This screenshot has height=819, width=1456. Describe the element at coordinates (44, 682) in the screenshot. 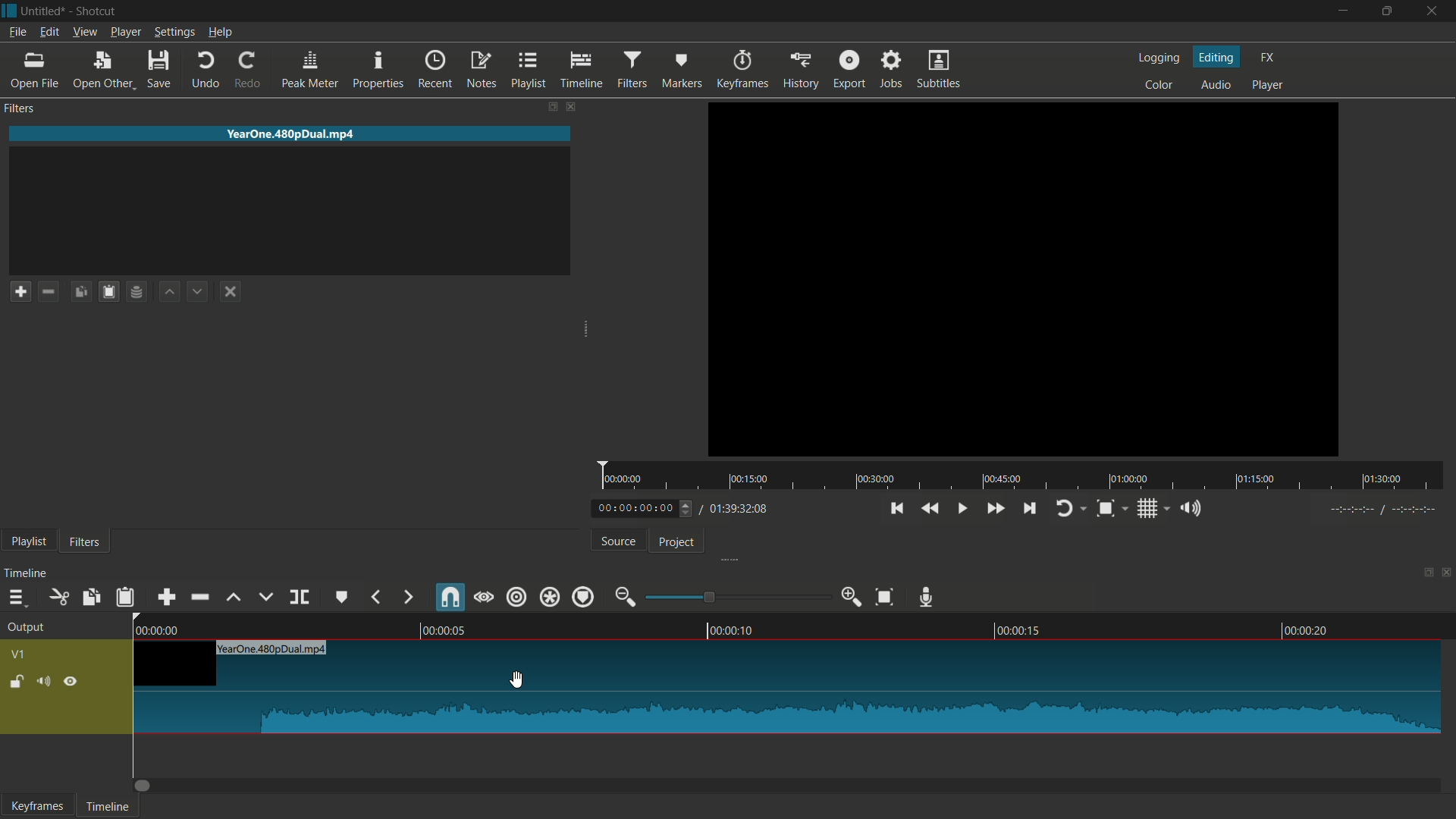

I see `mute` at that location.